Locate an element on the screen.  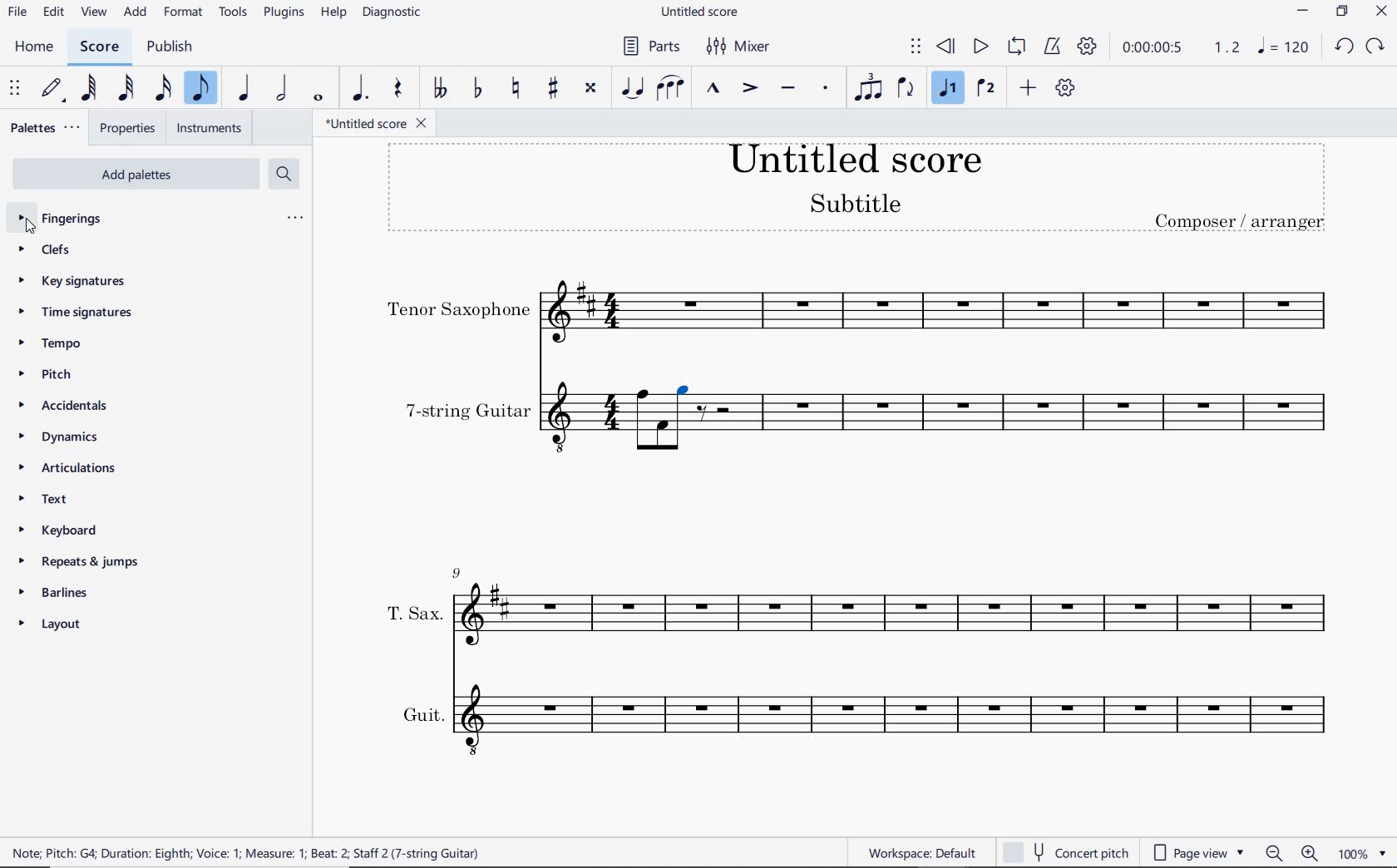
FLIP DIRECTION is located at coordinates (906, 88).